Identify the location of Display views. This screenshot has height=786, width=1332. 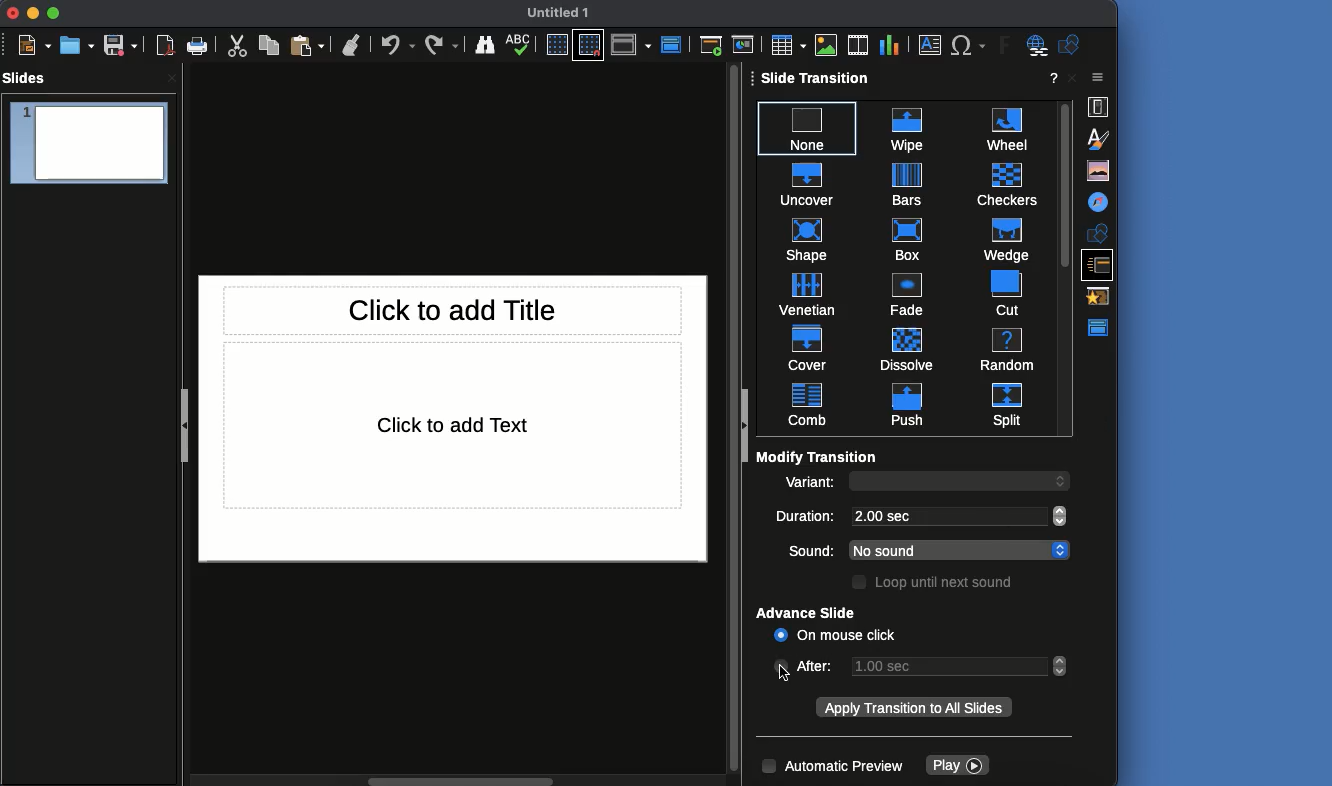
(633, 46).